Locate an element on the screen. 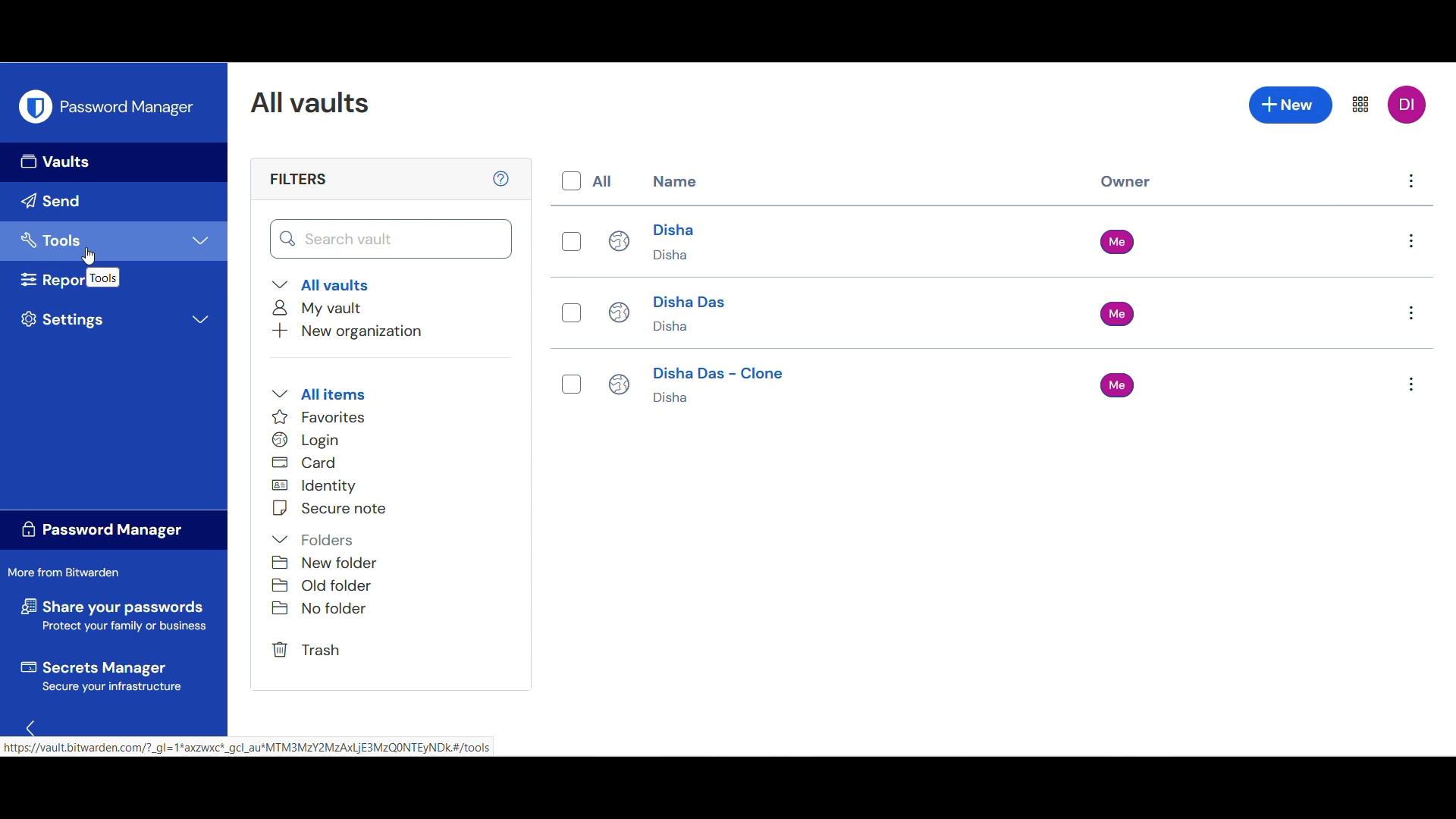 Image resolution: width=1456 pixels, height=819 pixels. Secrets manager is located at coordinates (113, 676).